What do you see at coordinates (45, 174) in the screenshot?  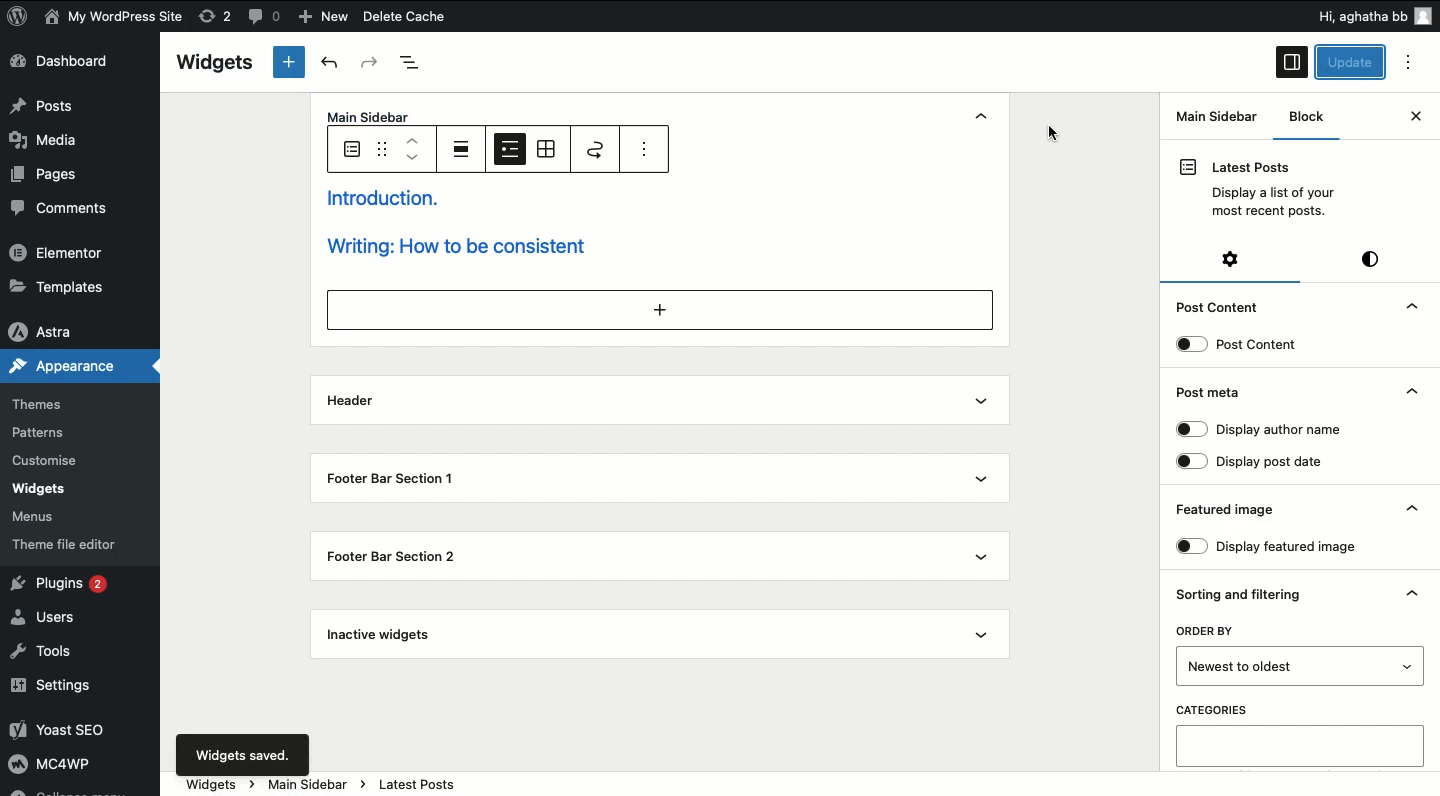 I see `Pages` at bounding box center [45, 174].